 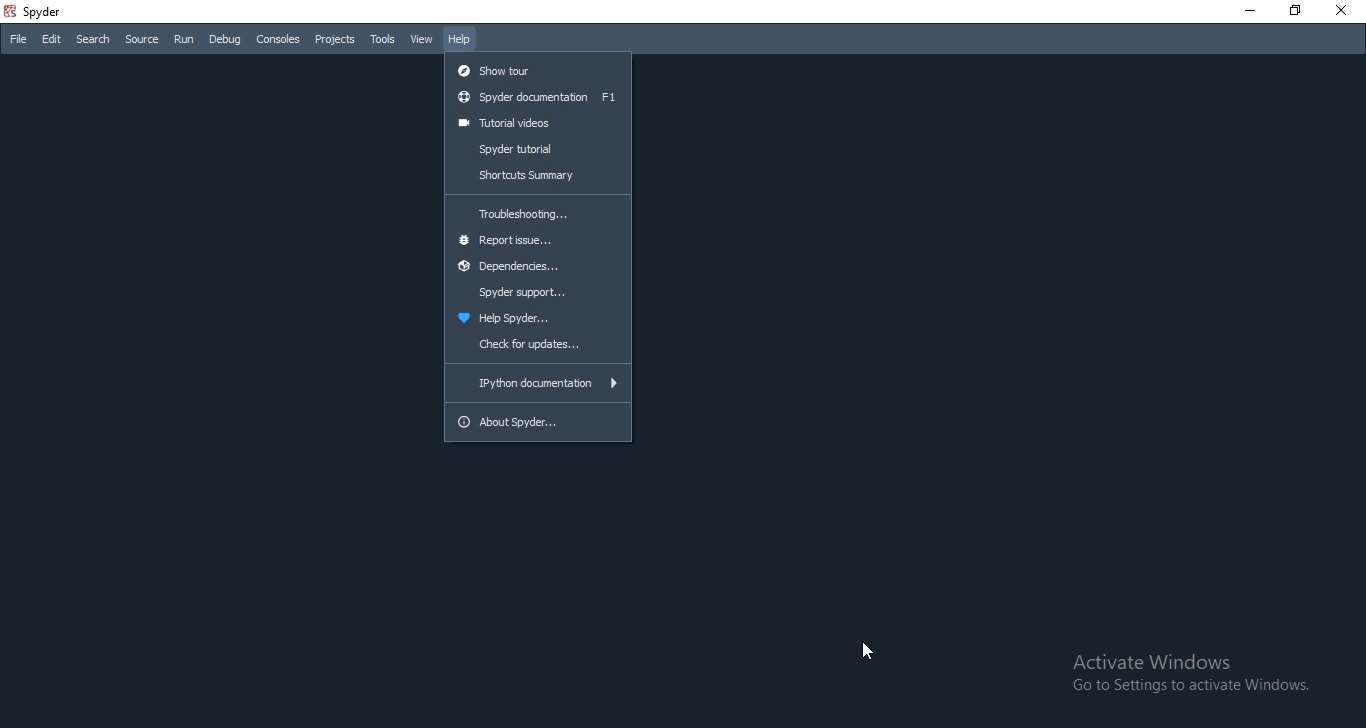 What do you see at coordinates (223, 38) in the screenshot?
I see `Debug` at bounding box center [223, 38].